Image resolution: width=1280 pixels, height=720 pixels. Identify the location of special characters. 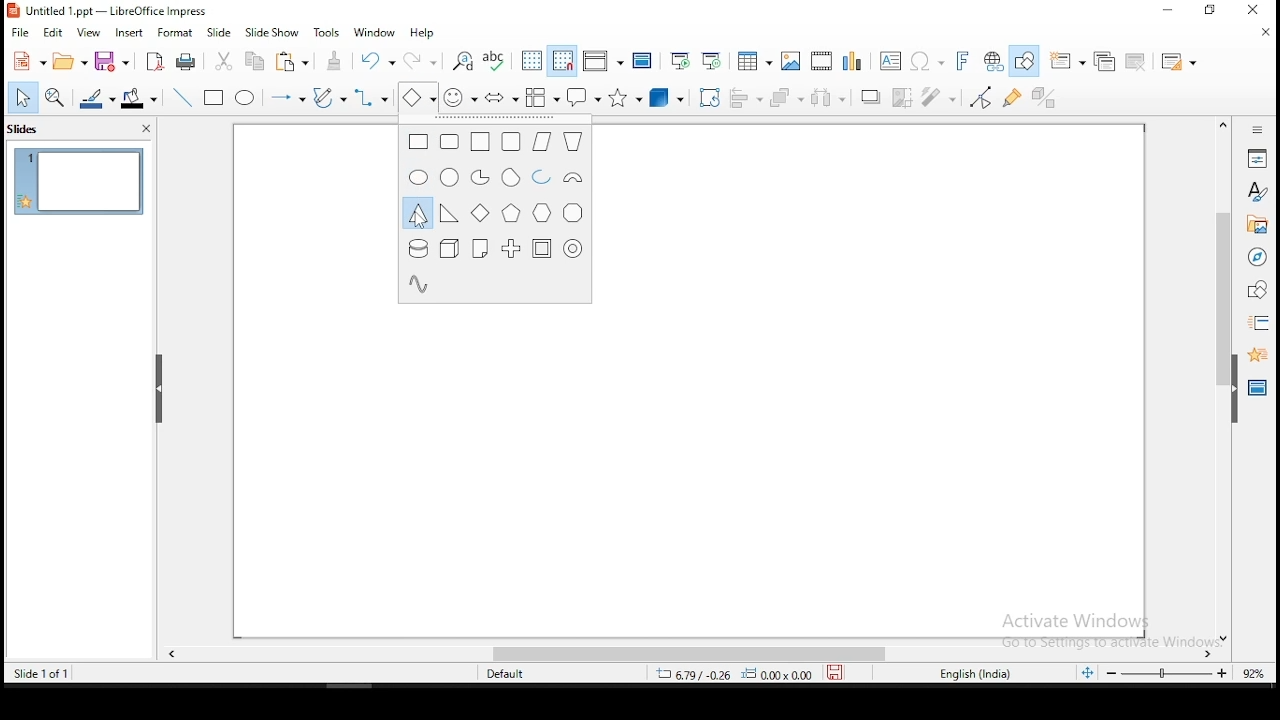
(925, 61).